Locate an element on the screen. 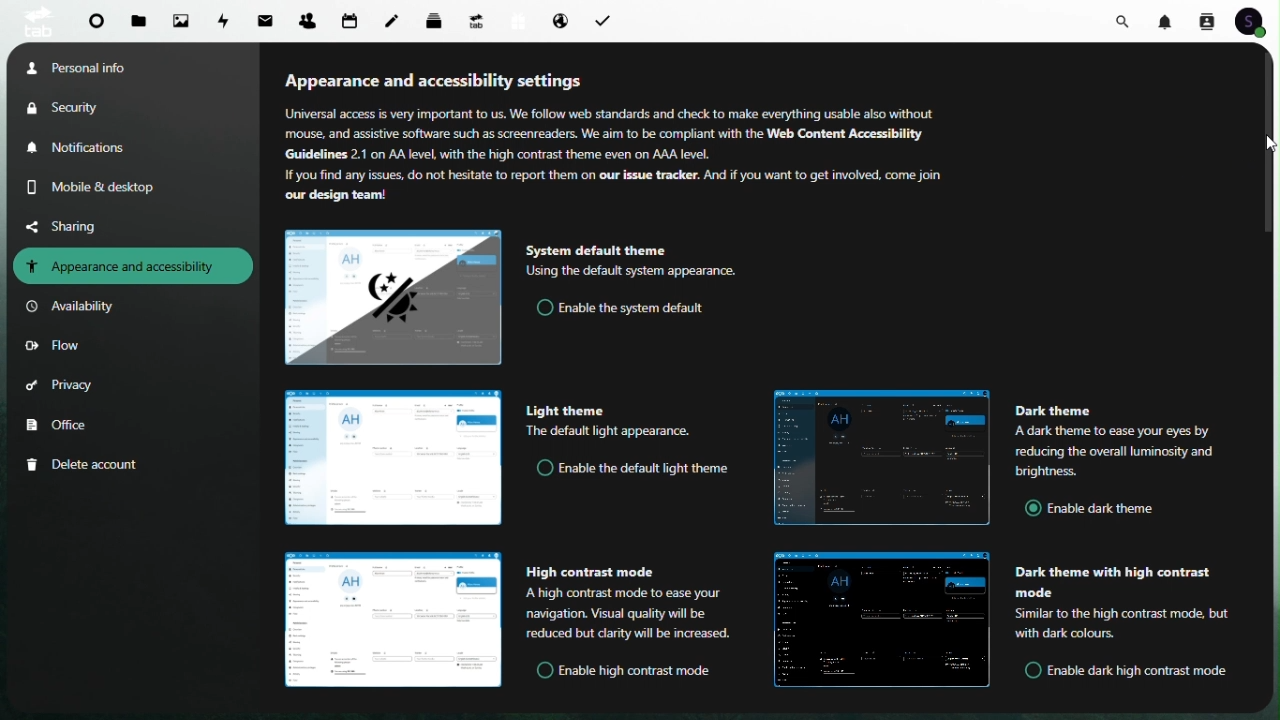 The height and width of the screenshot is (720, 1280). dashboard is located at coordinates (93, 25).